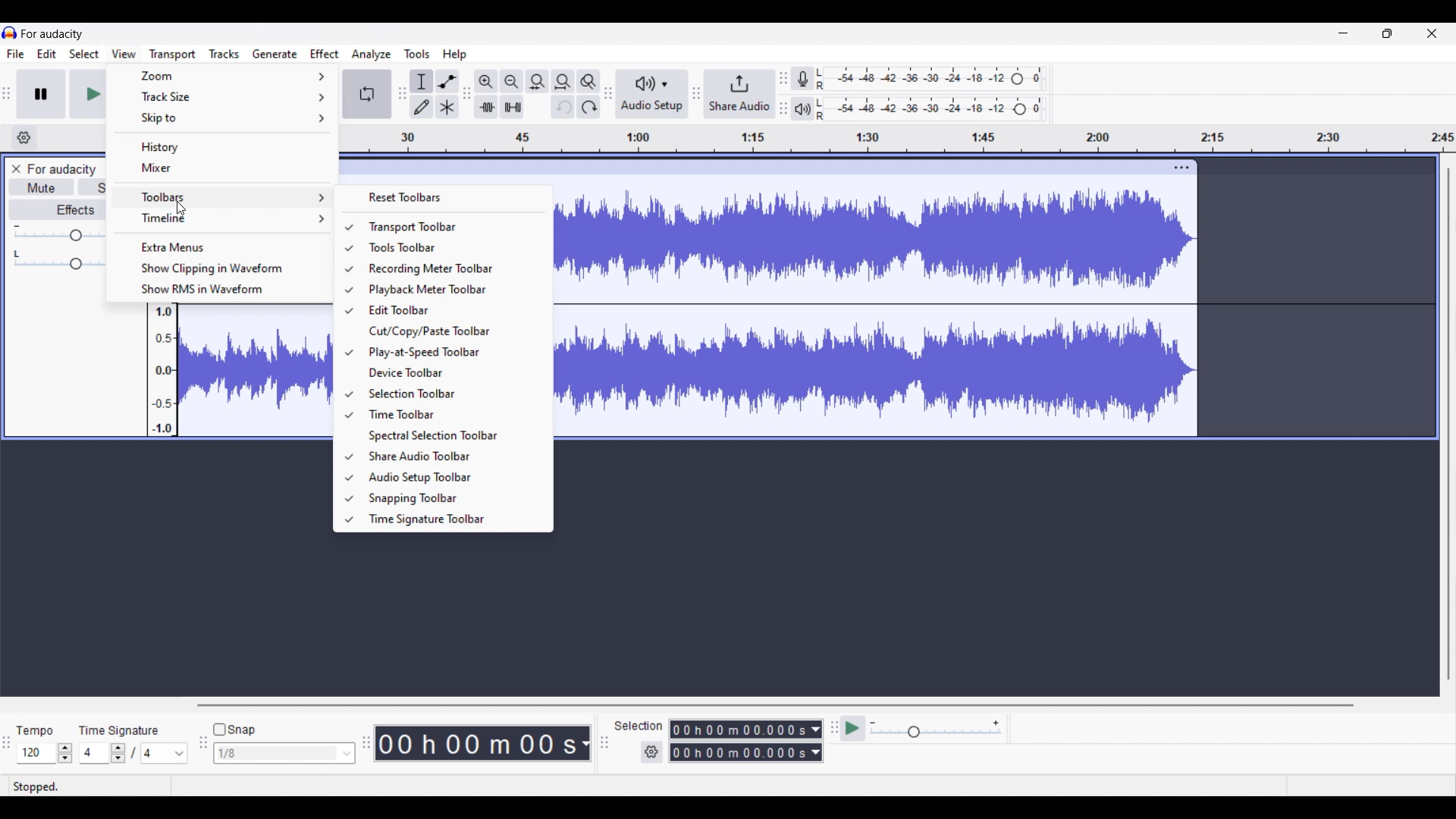 The image size is (1456, 819). Describe the element at coordinates (652, 94) in the screenshot. I see `Audio setup` at that location.